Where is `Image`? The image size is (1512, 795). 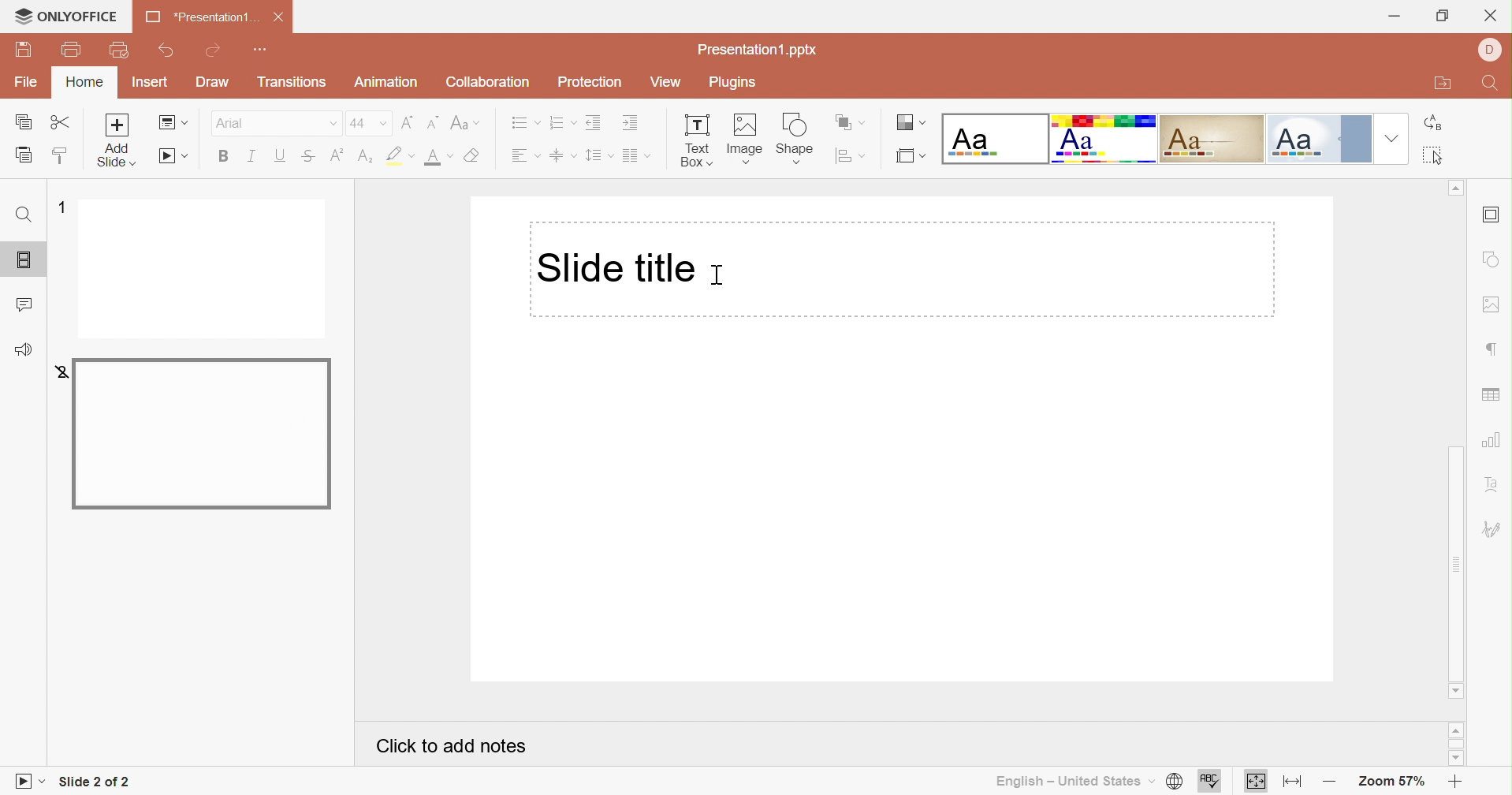 Image is located at coordinates (749, 140).